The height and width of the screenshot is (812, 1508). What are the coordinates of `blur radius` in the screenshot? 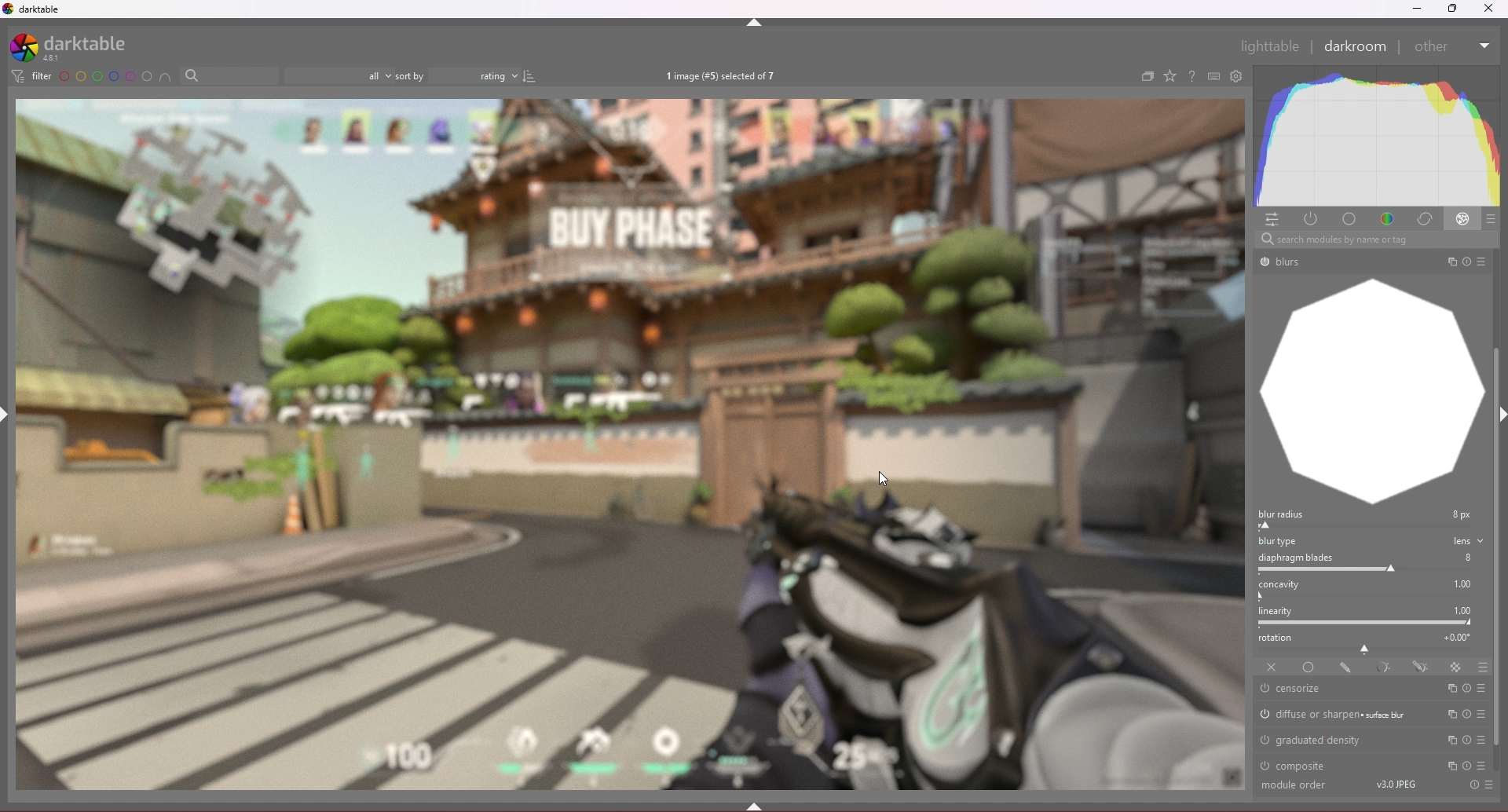 It's located at (1369, 519).